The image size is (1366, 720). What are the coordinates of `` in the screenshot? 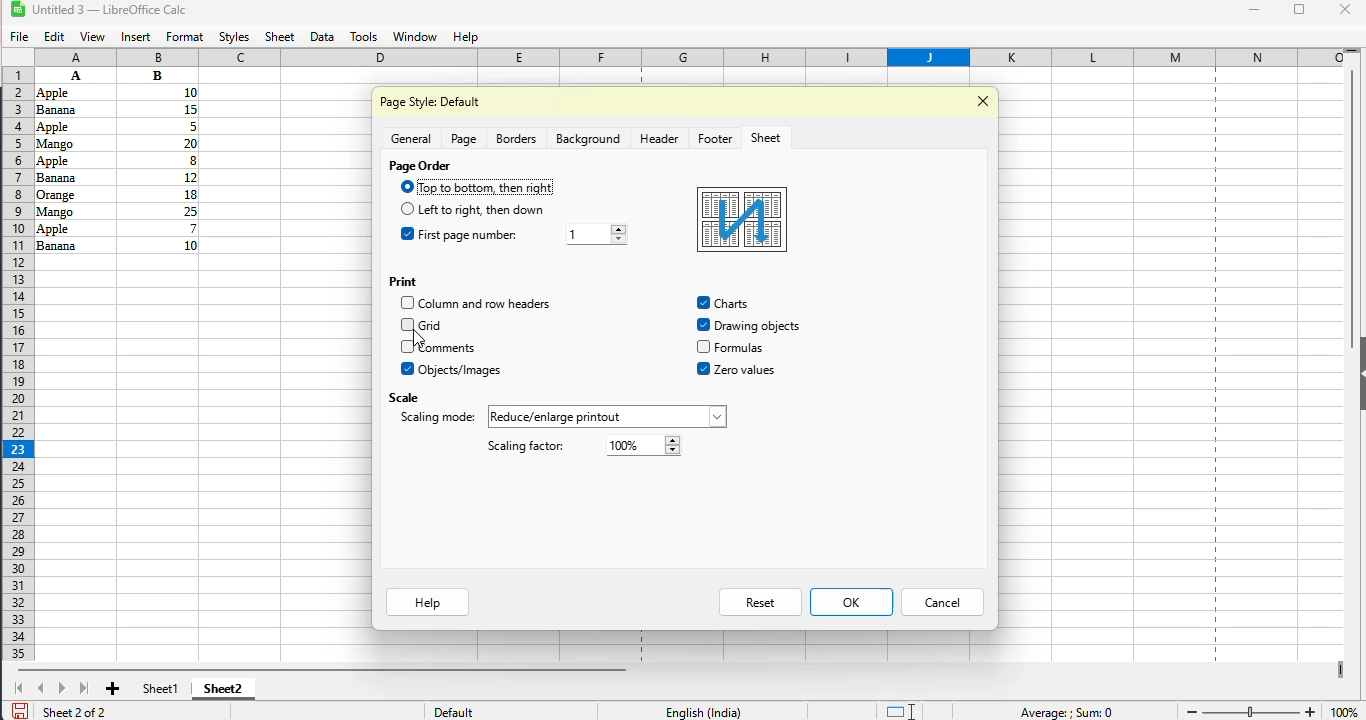 It's located at (607, 417).